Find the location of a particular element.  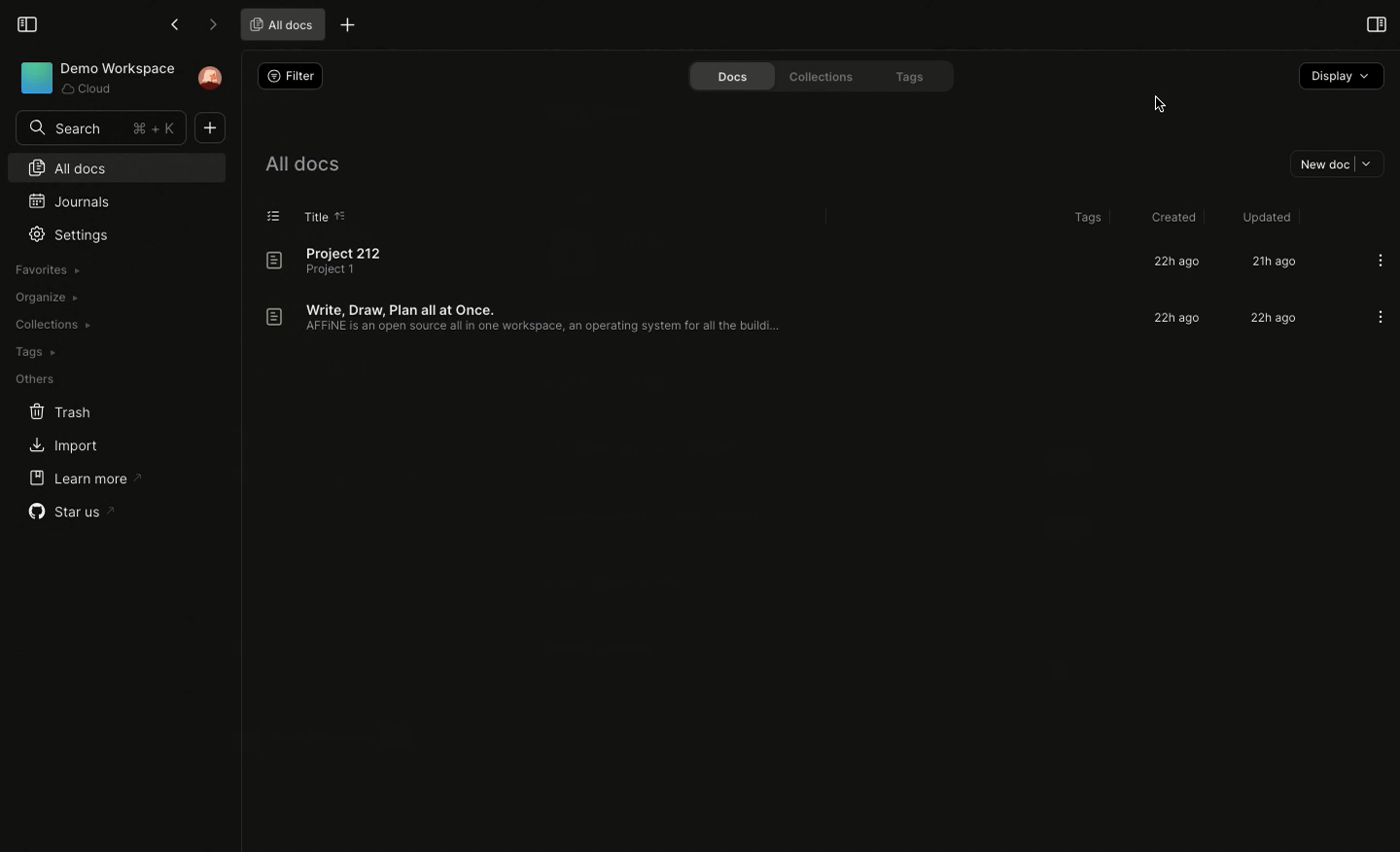

Updated is located at coordinates (1264, 217).